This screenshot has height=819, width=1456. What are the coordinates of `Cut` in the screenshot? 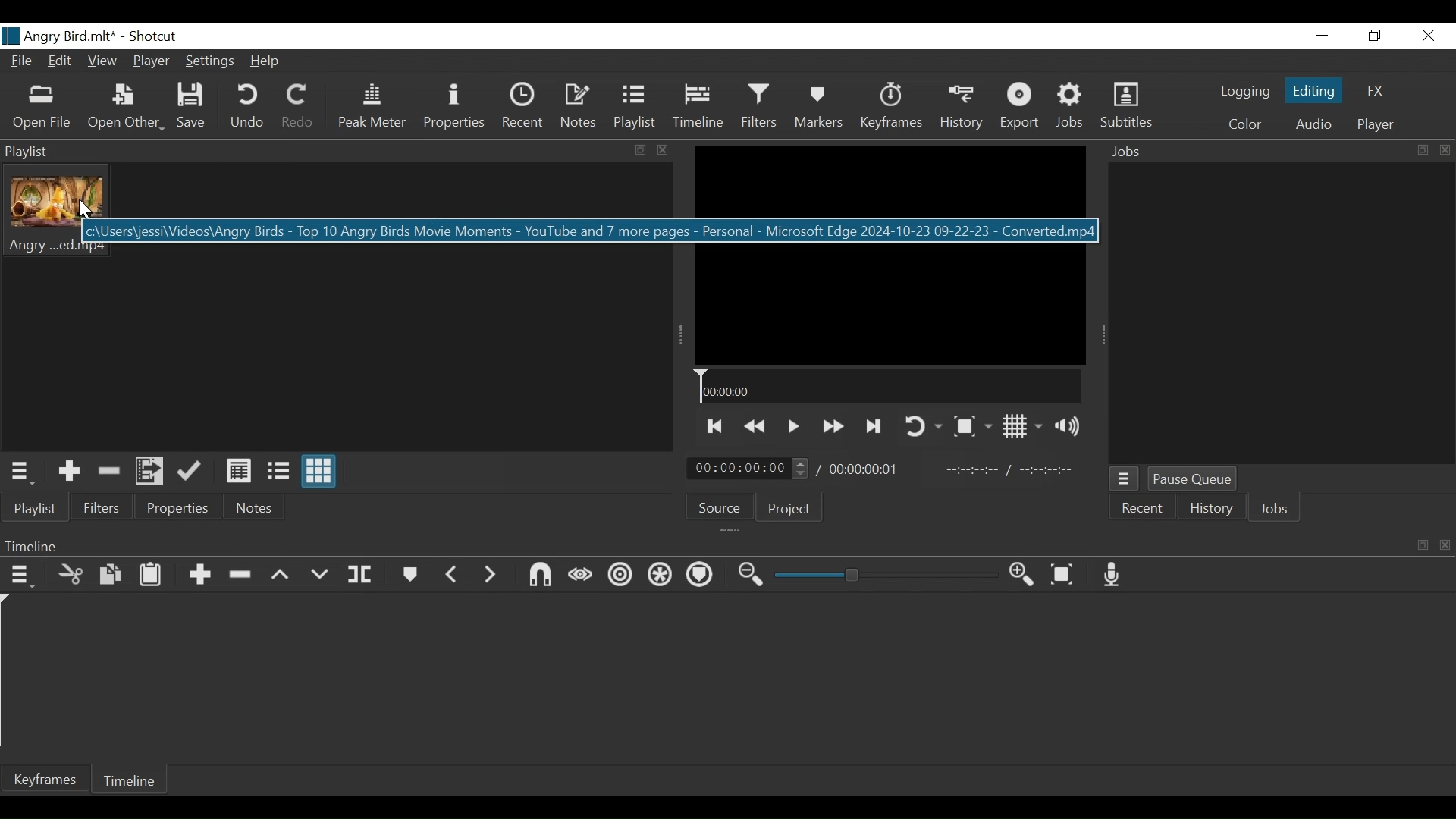 It's located at (71, 575).